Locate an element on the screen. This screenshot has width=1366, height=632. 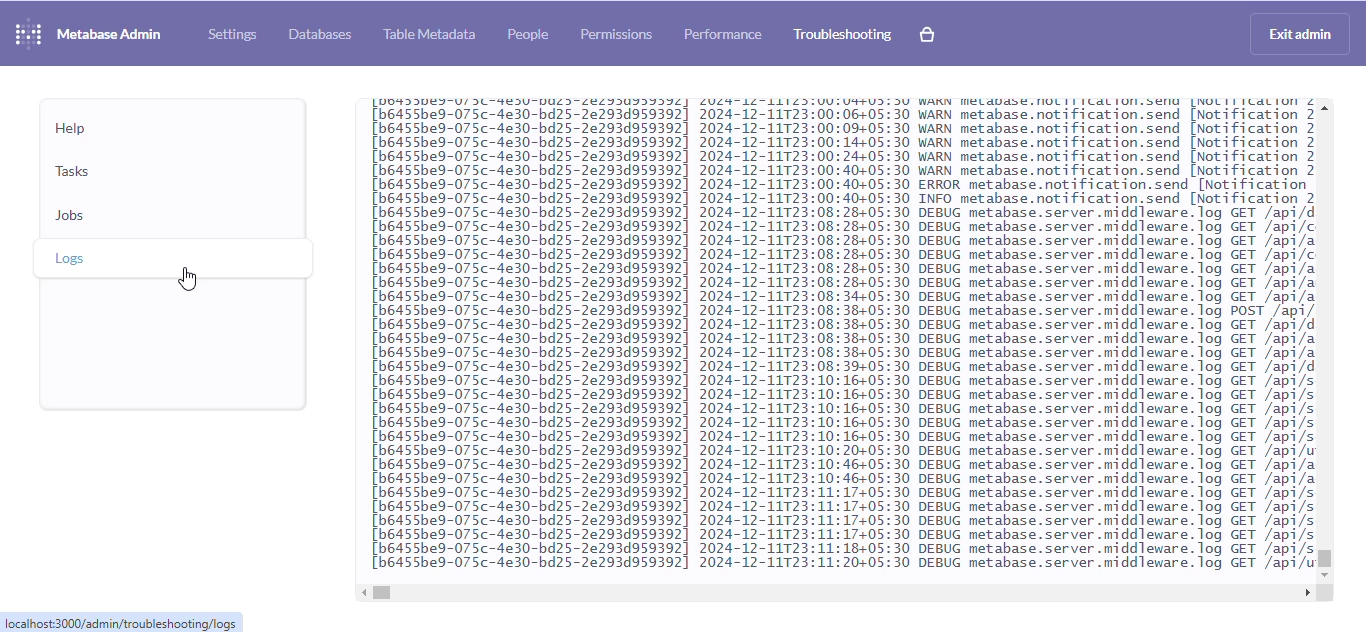
logo is located at coordinates (28, 33).